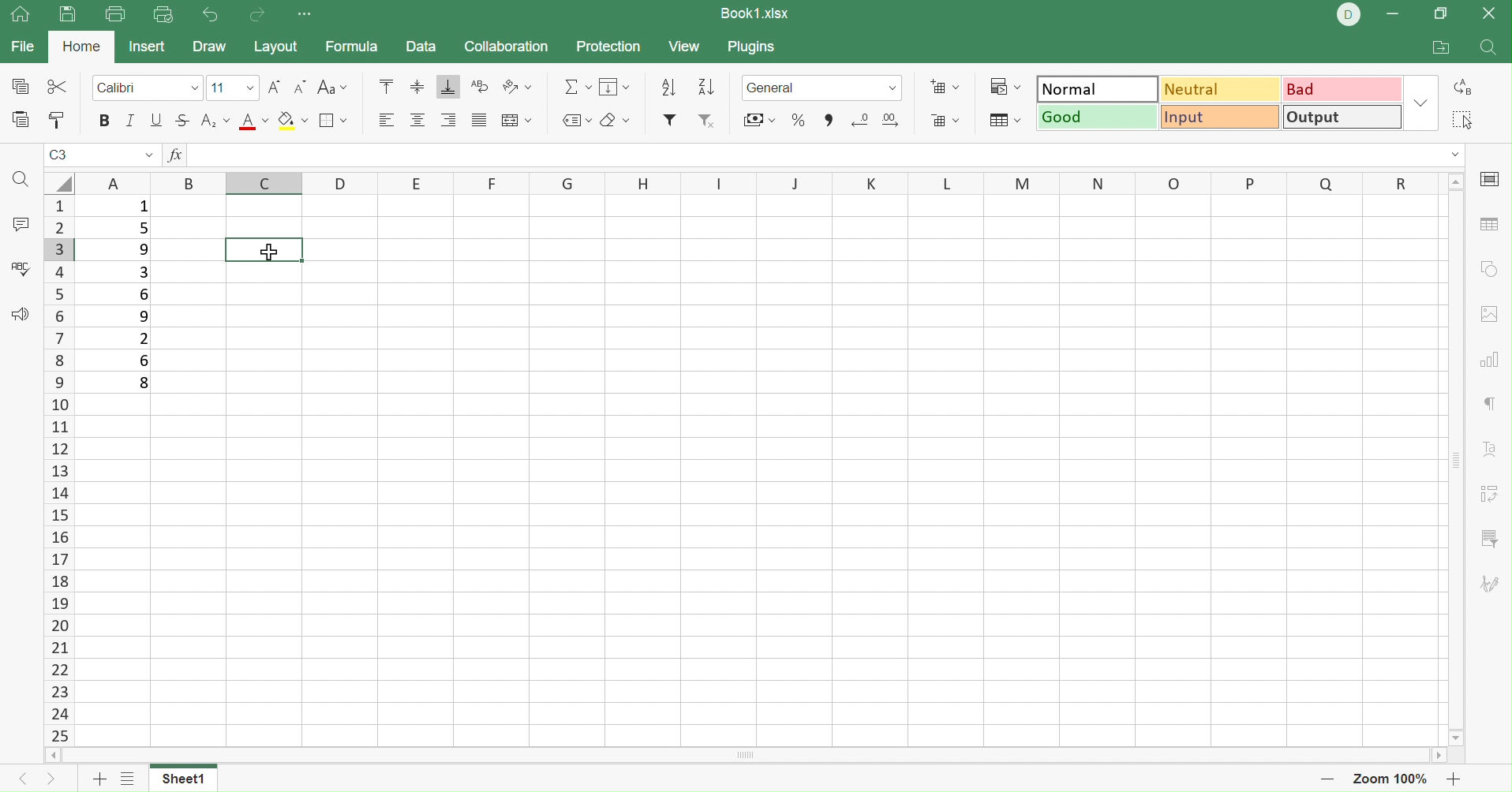 The height and width of the screenshot is (792, 1512). I want to click on Number format, so click(807, 87).